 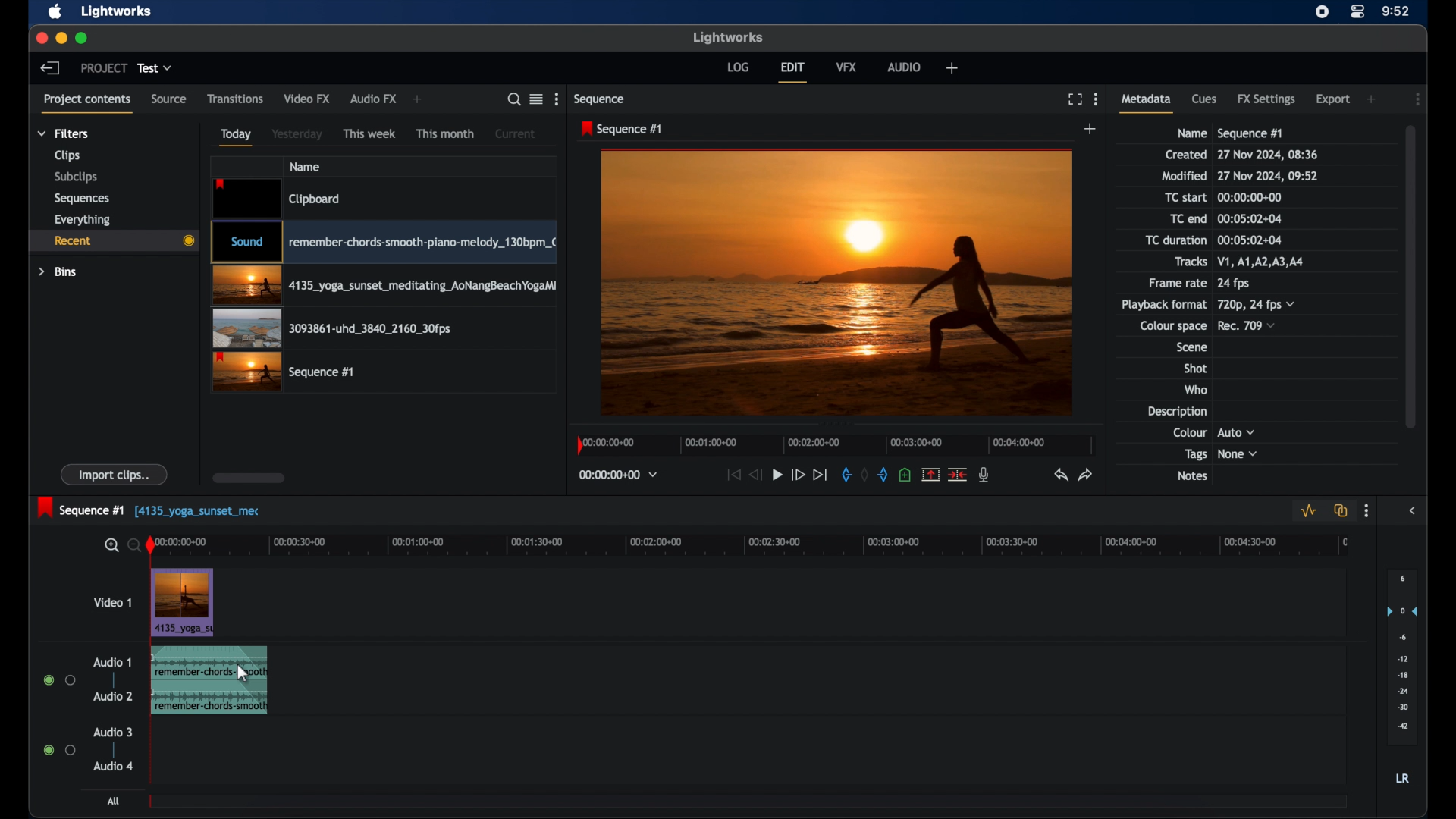 What do you see at coordinates (957, 473) in the screenshot?
I see `split` at bounding box center [957, 473].